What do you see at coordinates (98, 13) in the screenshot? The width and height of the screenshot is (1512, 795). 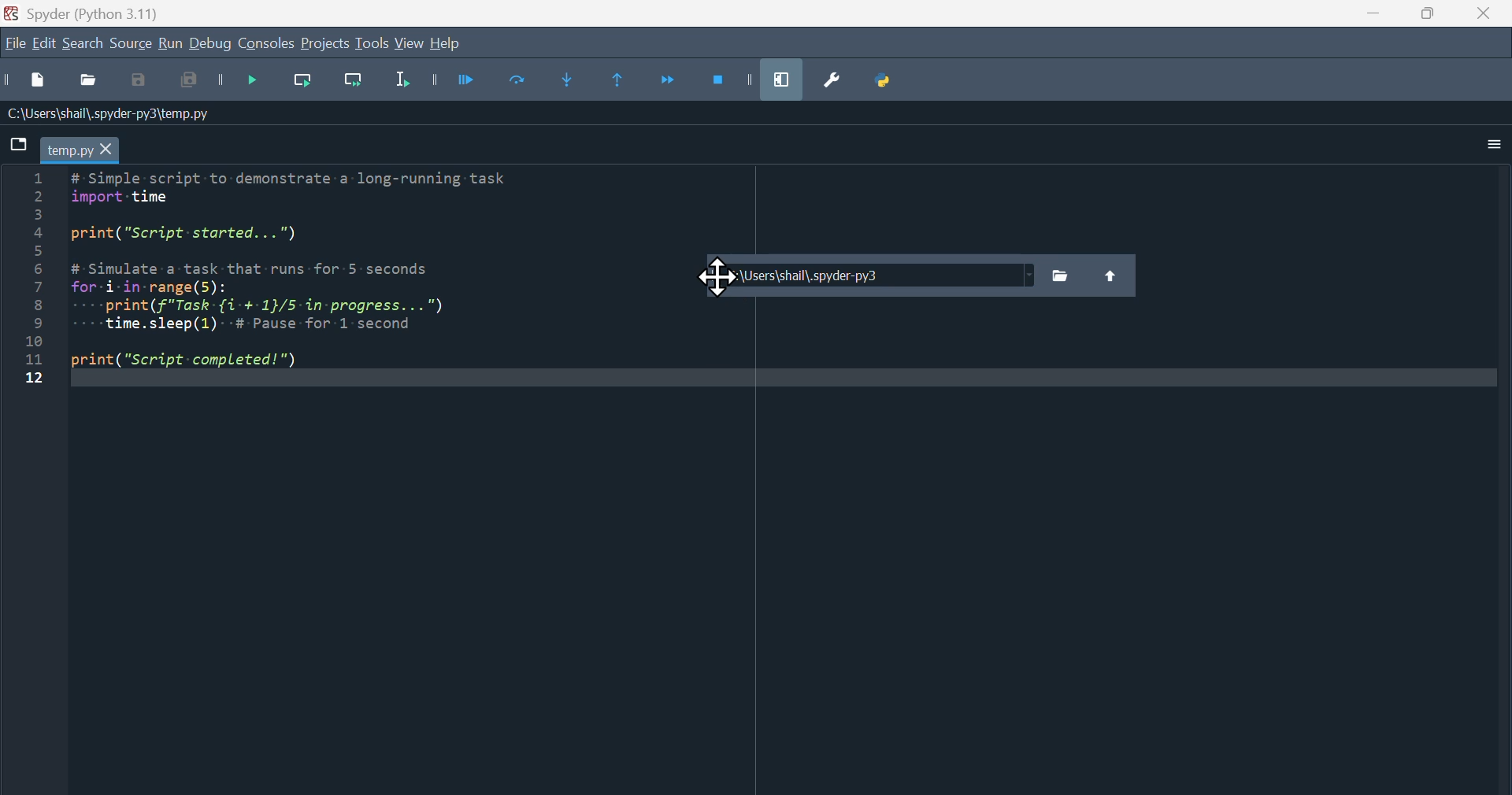 I see `spyder` at bounding box center [98, 13].